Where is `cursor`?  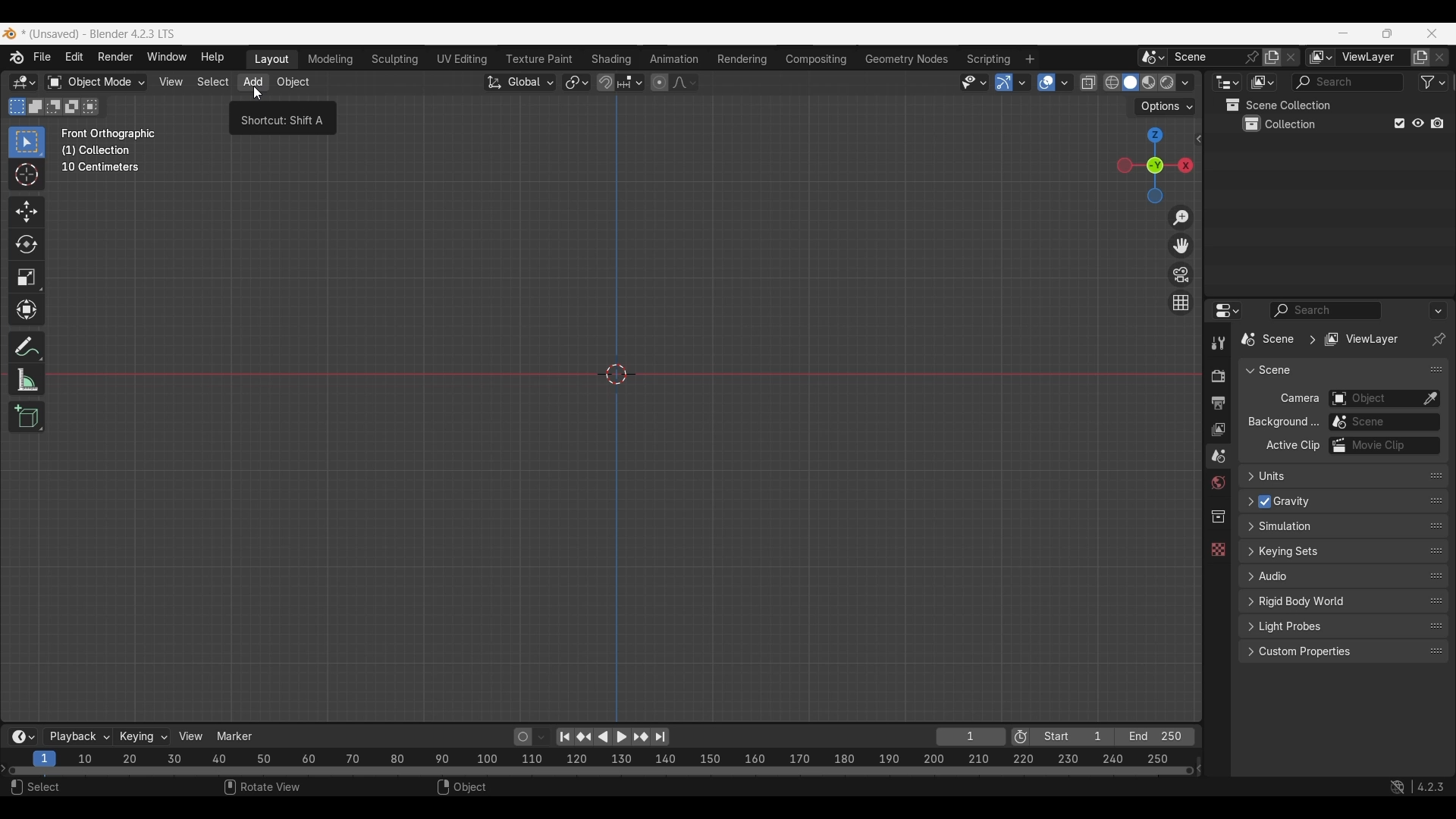 cursor is located at coordinates (256, 93).